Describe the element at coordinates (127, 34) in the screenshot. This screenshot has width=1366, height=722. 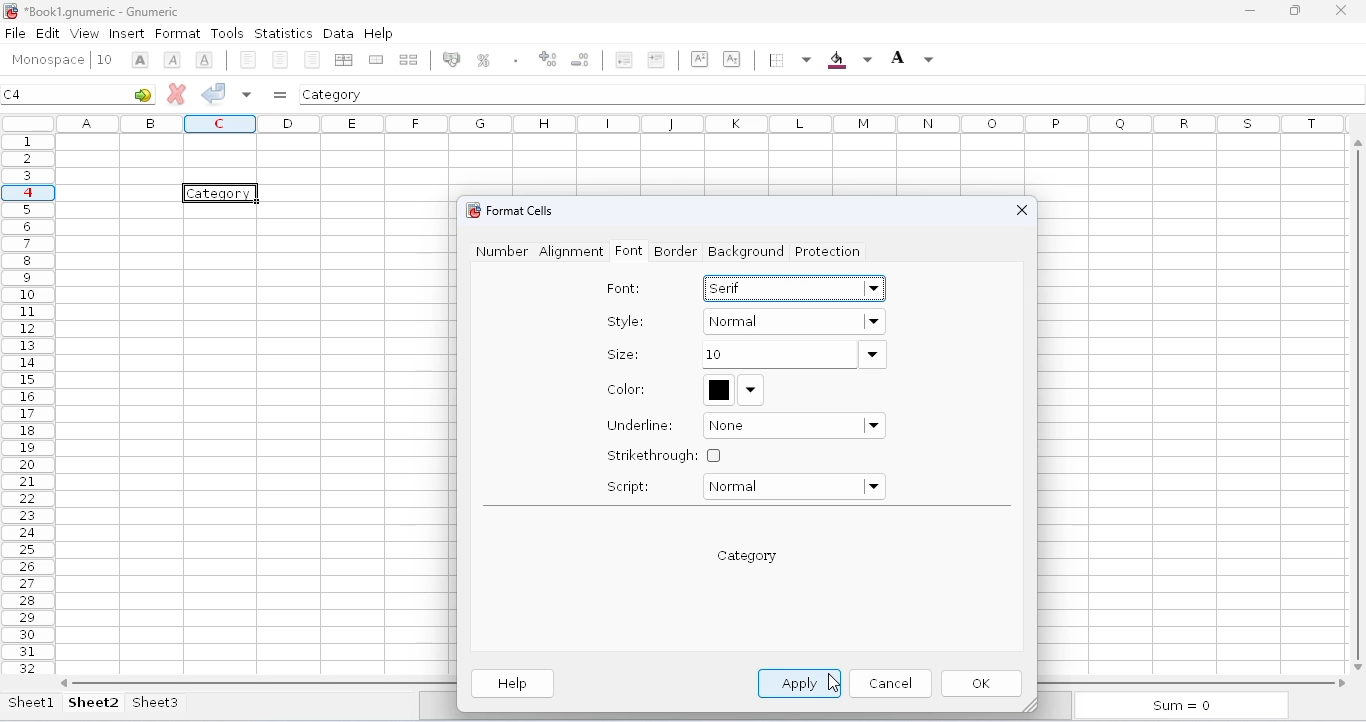
I see `insert` at that location.